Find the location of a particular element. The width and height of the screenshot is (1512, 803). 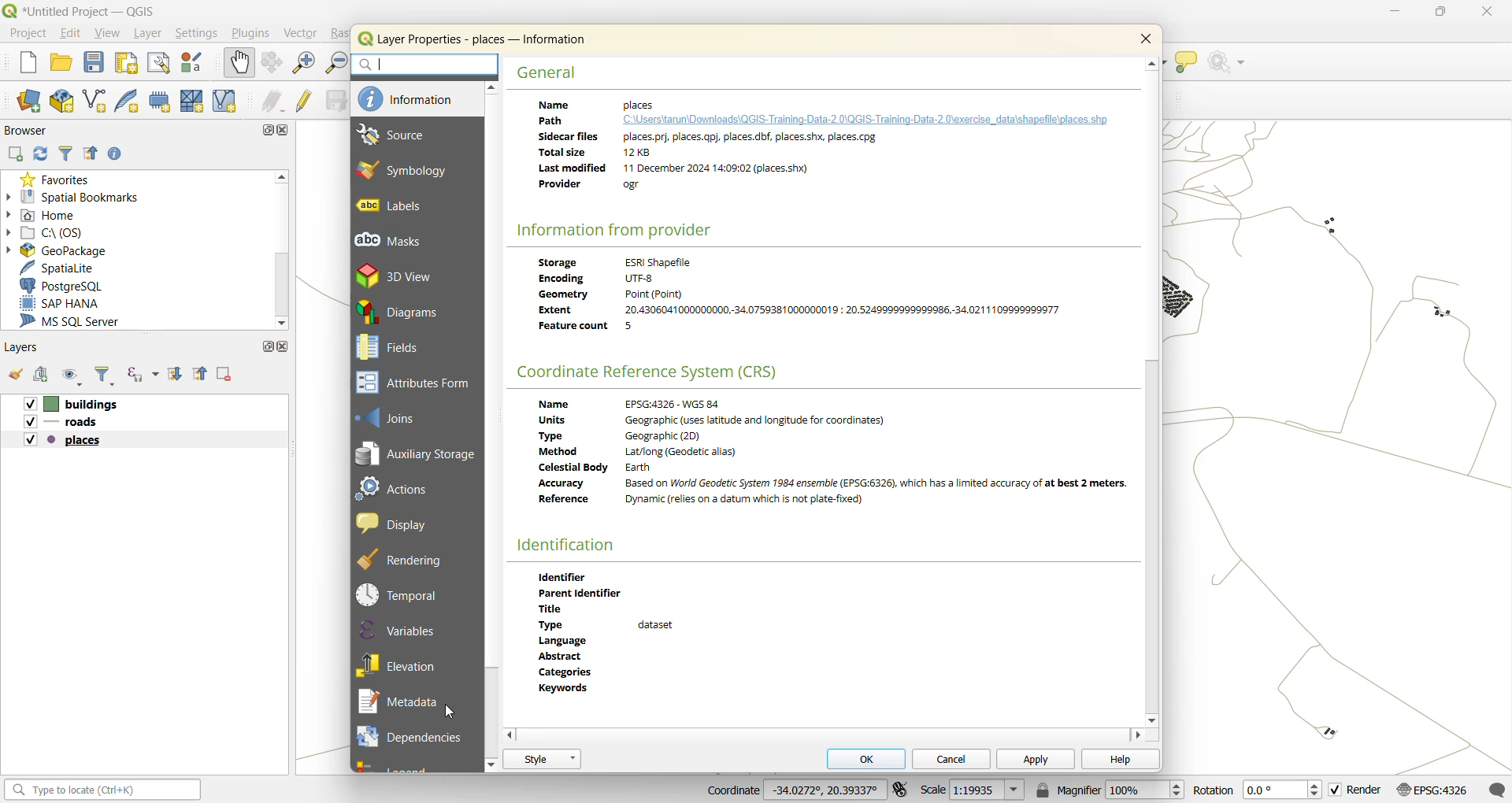

new shapefile is located at coordinates (102, 101).